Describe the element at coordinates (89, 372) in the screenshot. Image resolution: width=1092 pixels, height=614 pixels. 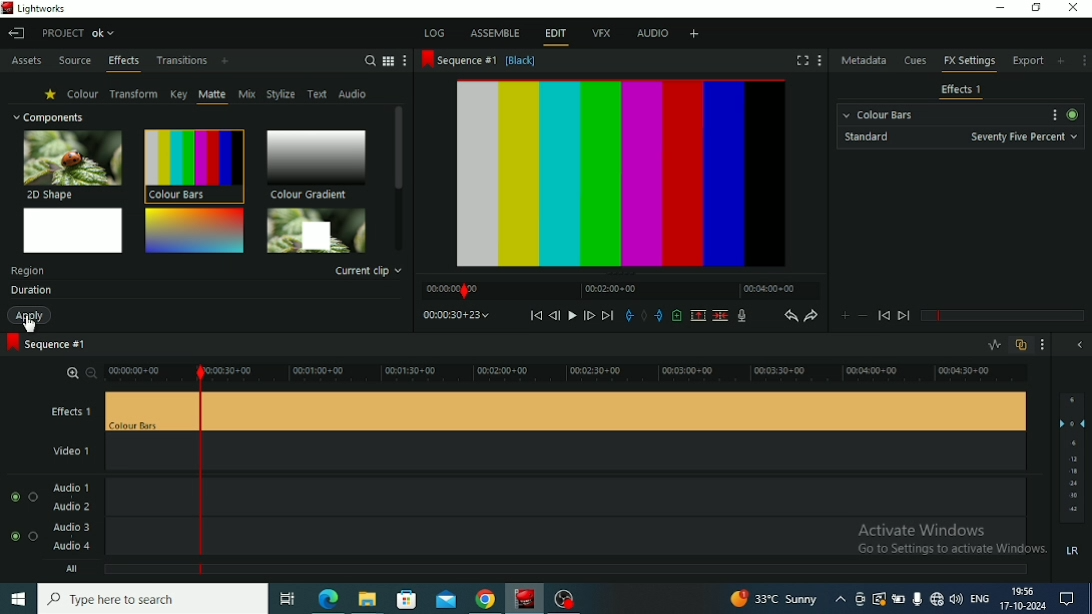
I see `Zoom Out` at that location.